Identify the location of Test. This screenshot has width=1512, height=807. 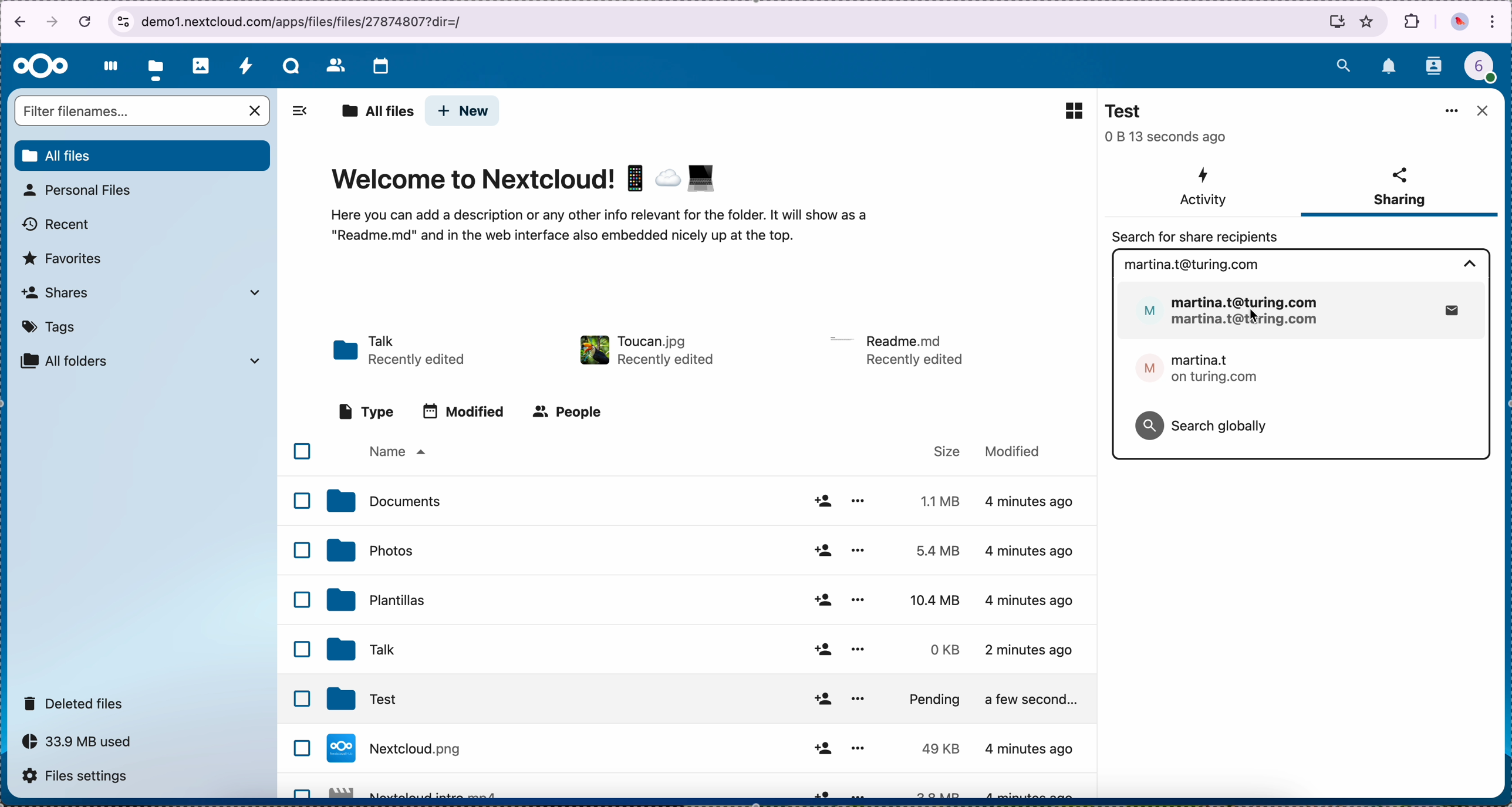
(1129, 112).